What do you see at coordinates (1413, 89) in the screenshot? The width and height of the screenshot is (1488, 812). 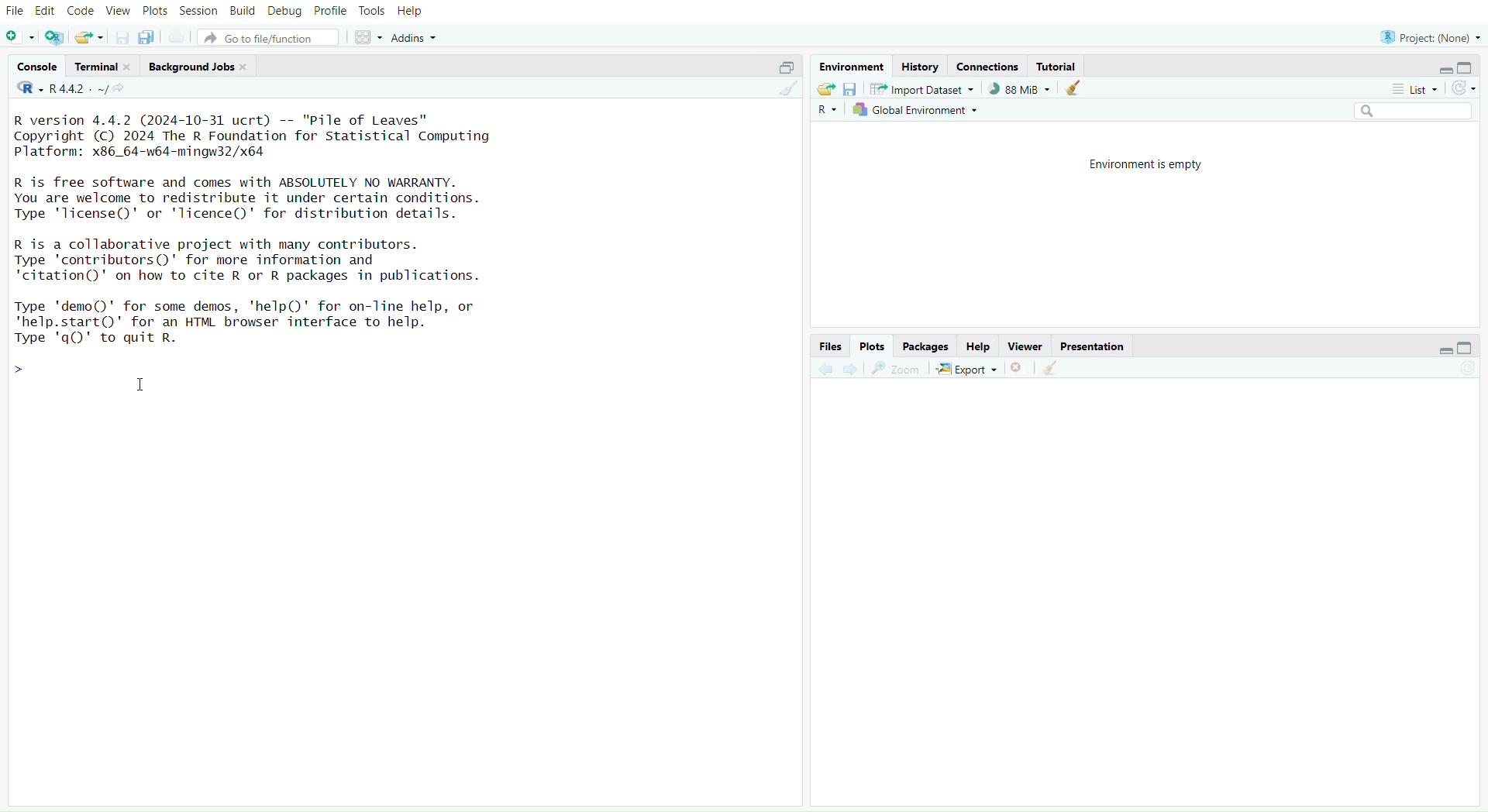 I see `list` at bounding box center [1413, 89].